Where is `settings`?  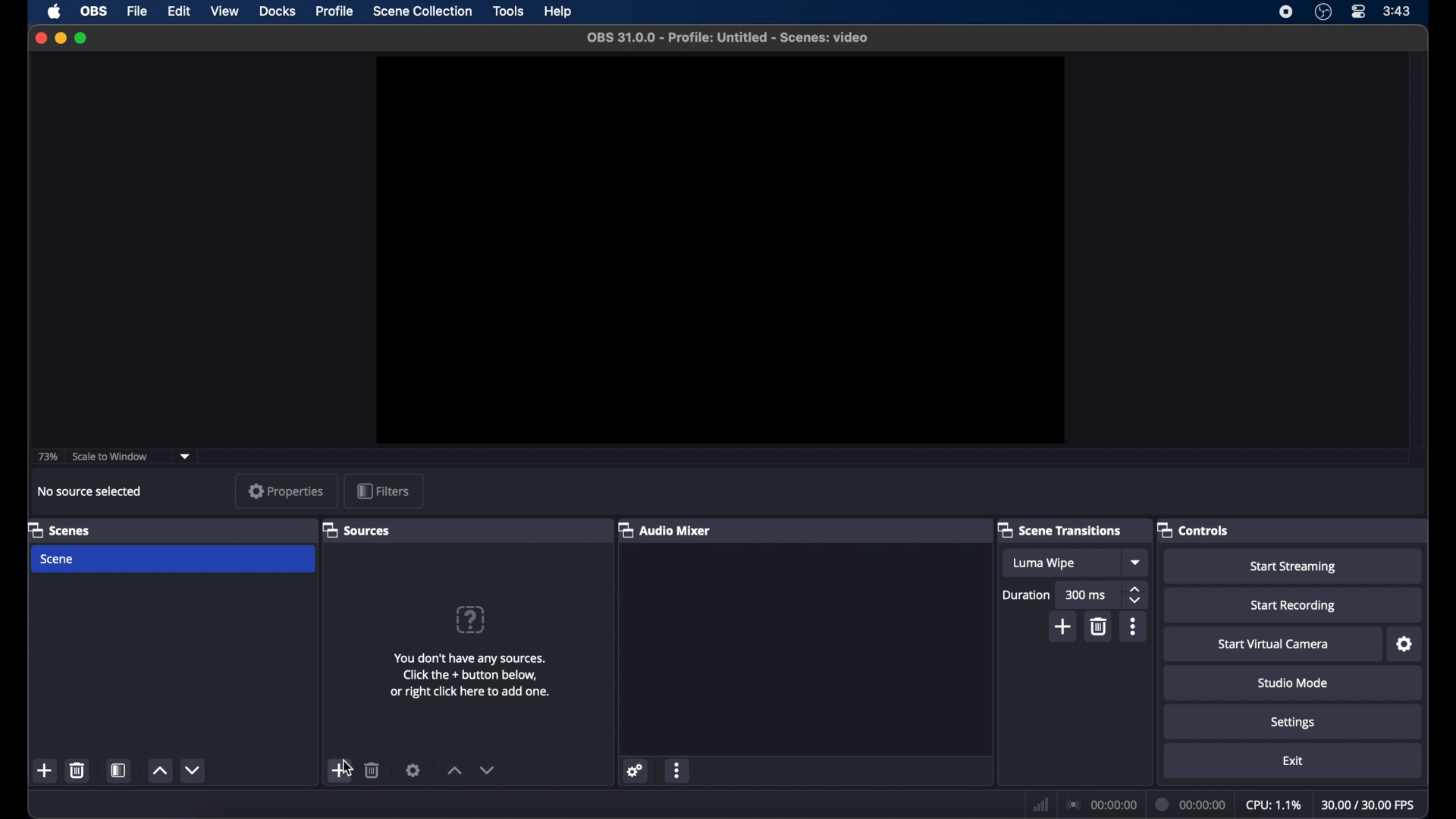 settings is located at coordinates (1294, 723).